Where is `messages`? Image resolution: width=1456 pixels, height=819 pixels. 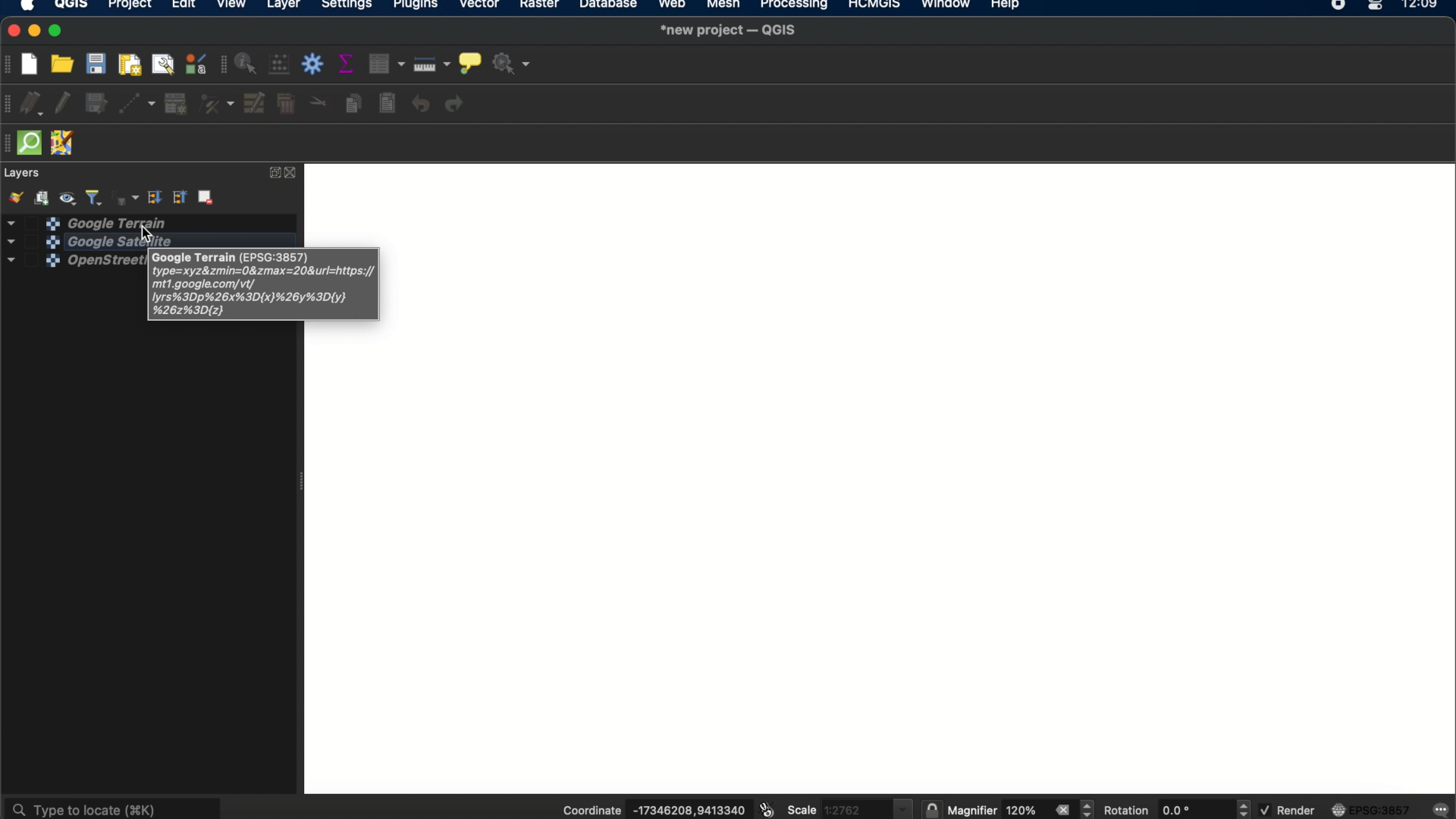 messages is located at coordinates (1442, 808).